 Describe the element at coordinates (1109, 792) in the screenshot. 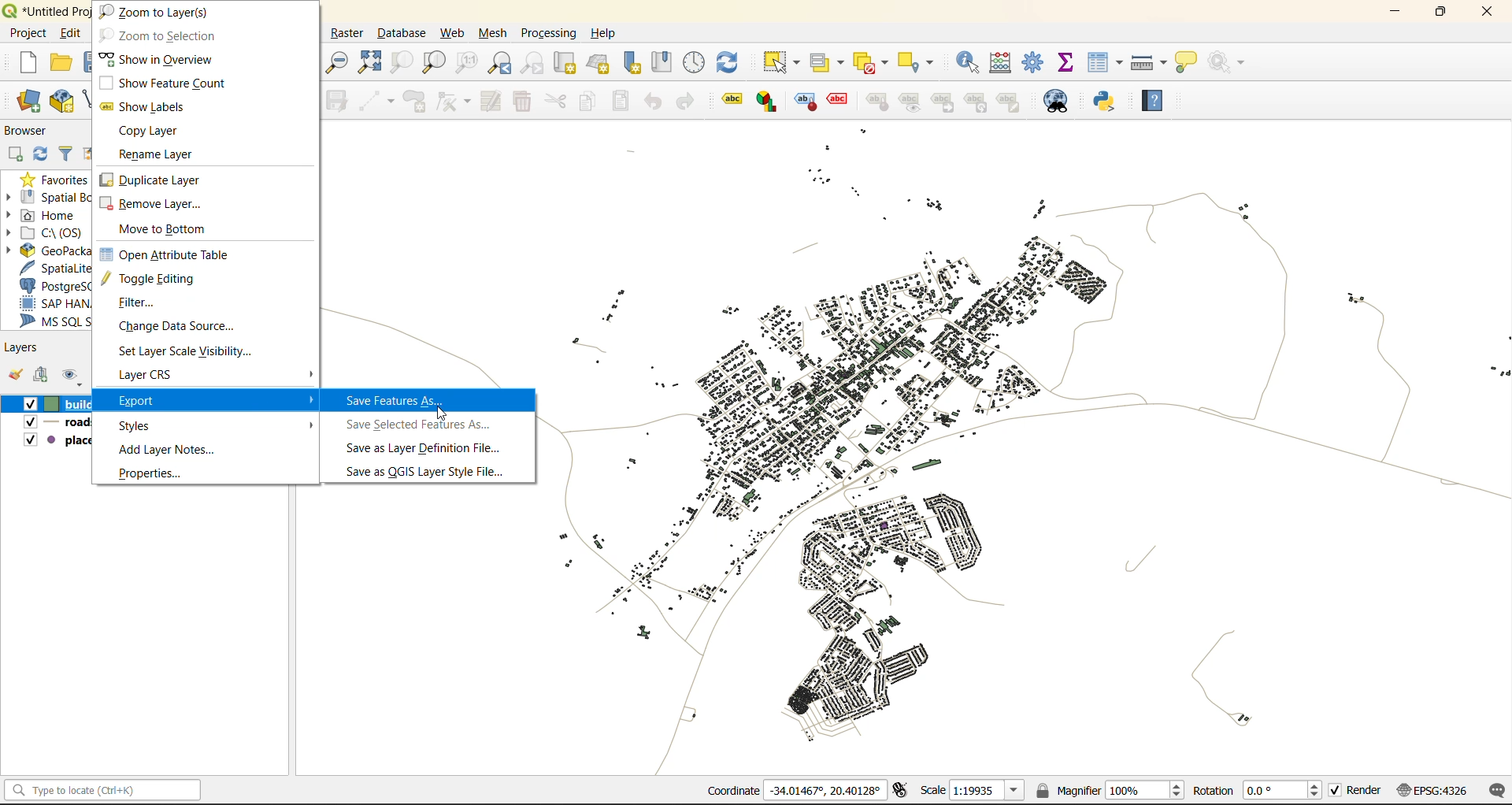

I see `magnifier` at that location.